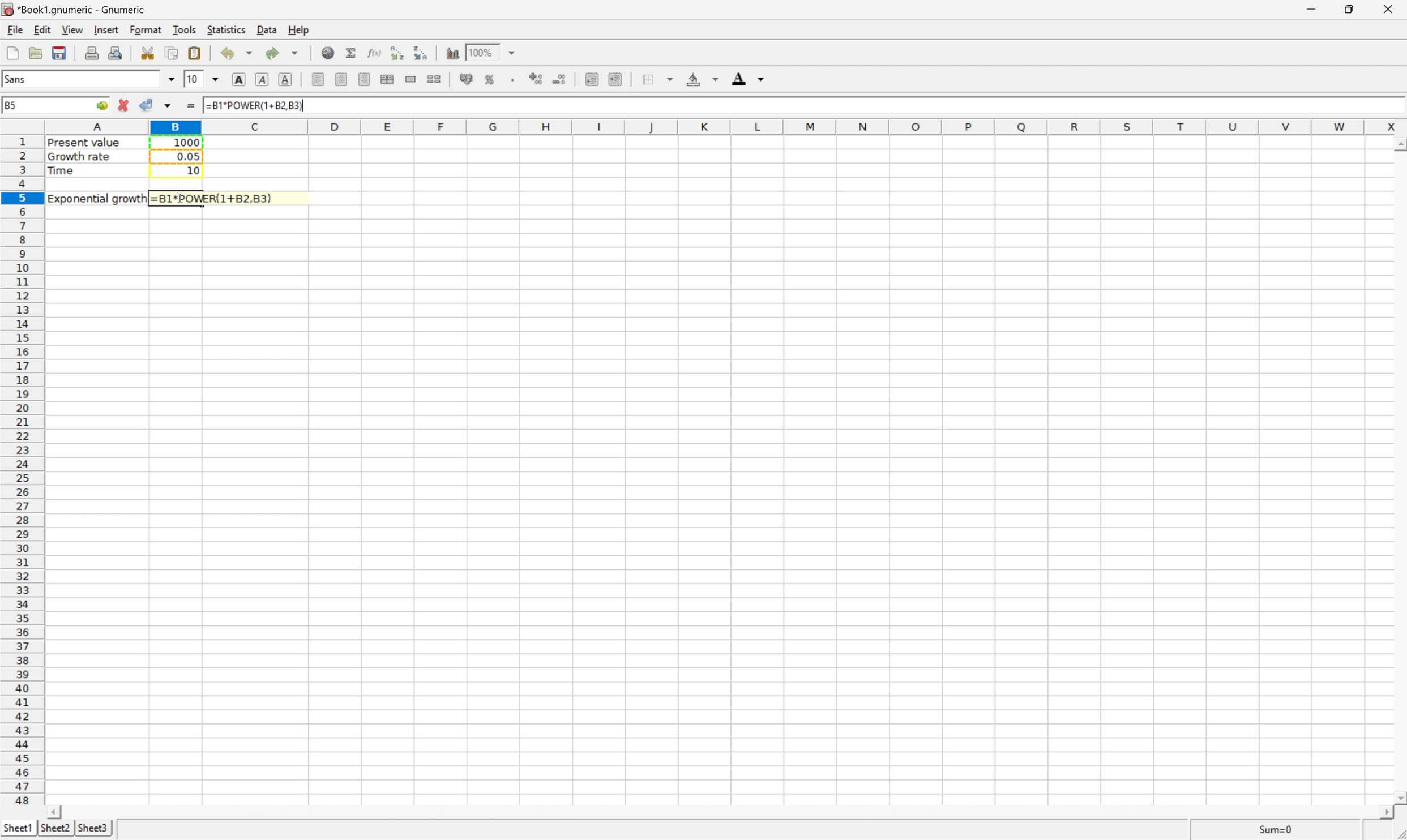 The height and width of the screenshot is (840, 1407). What do you see at coordinates (43, 29) in the screenshot?
I see `Edit` at bounding box center [43, 29].